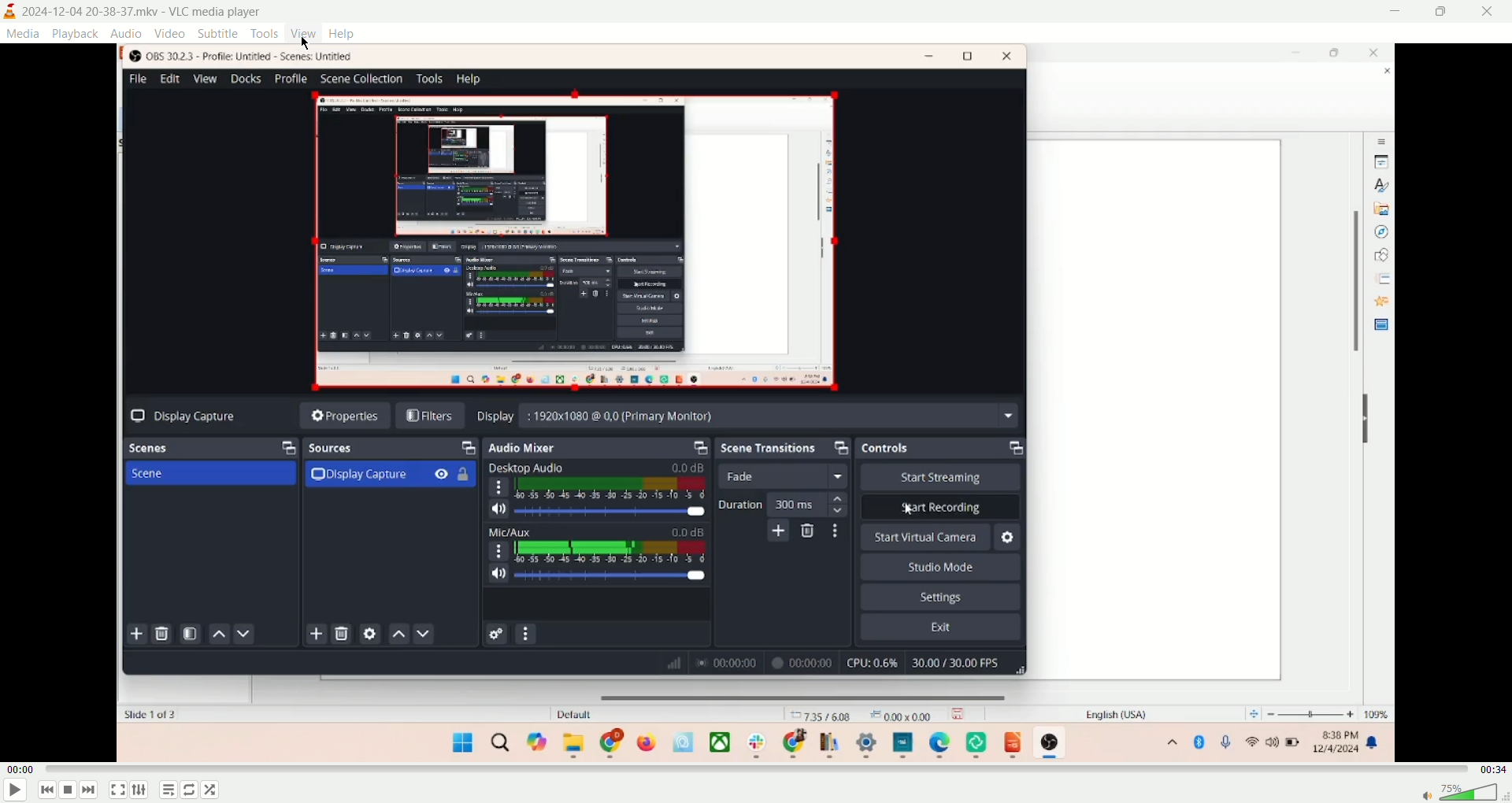 The image size is (1512, 803). What do you see at coordinates (147, 12) in the screenshot?
I see `2024-12-04 20-38-37.mkv - VLC media player` at bounding box center [147, 12].